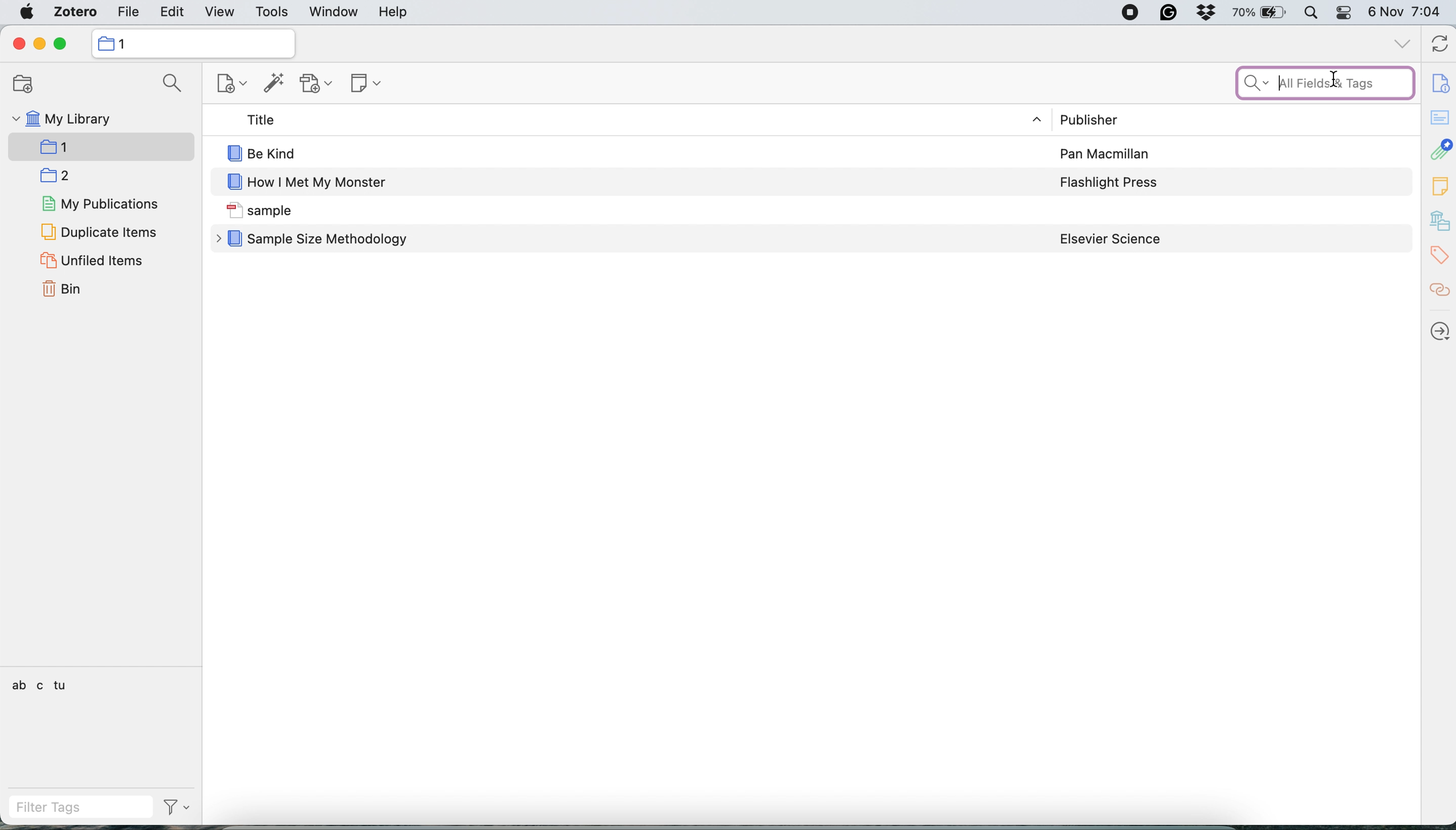  I want to click on expand/ collapse , so click(1039, 120).